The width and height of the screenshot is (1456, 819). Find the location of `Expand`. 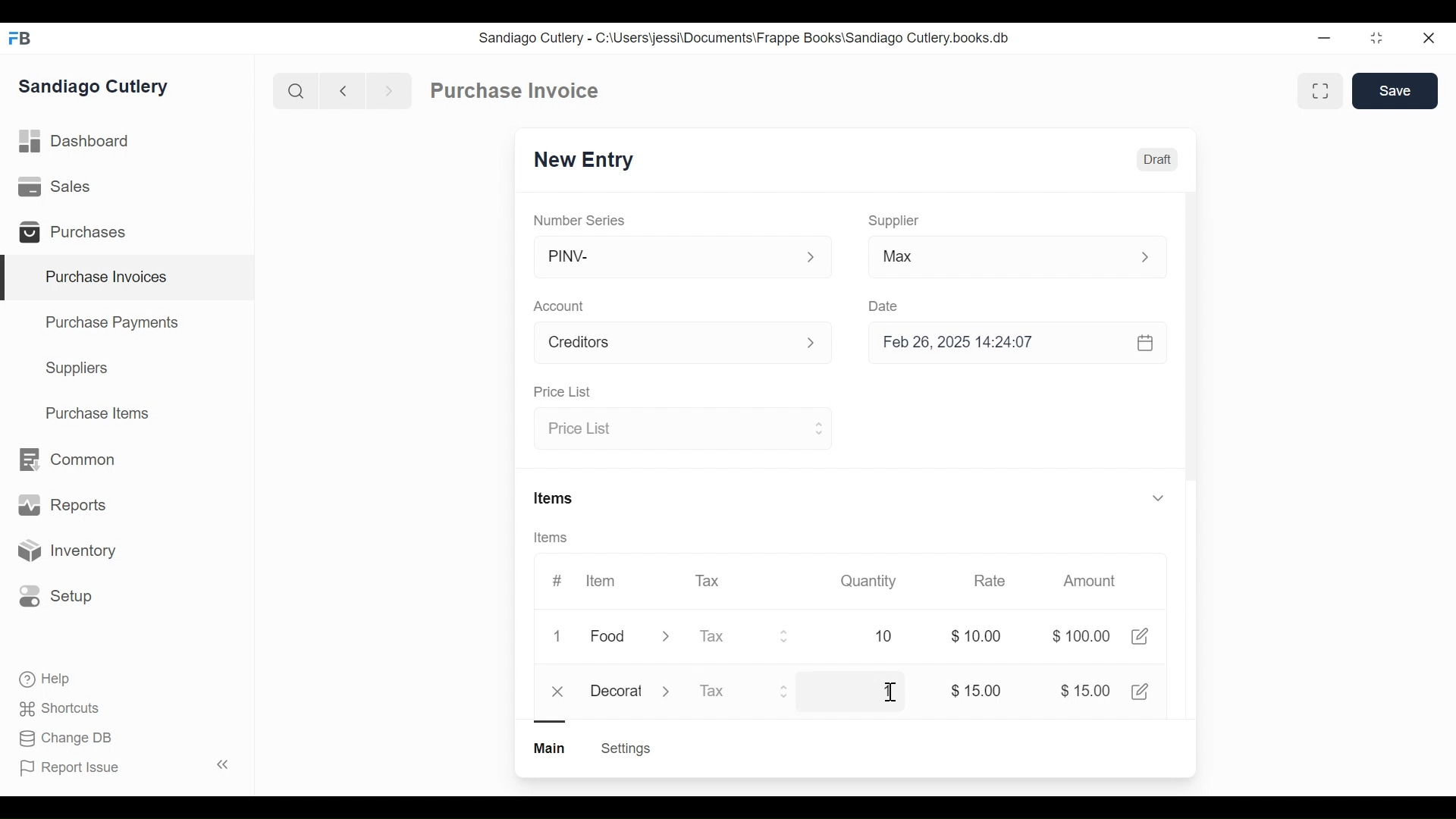

Expand is located at coordinates (811, 258).